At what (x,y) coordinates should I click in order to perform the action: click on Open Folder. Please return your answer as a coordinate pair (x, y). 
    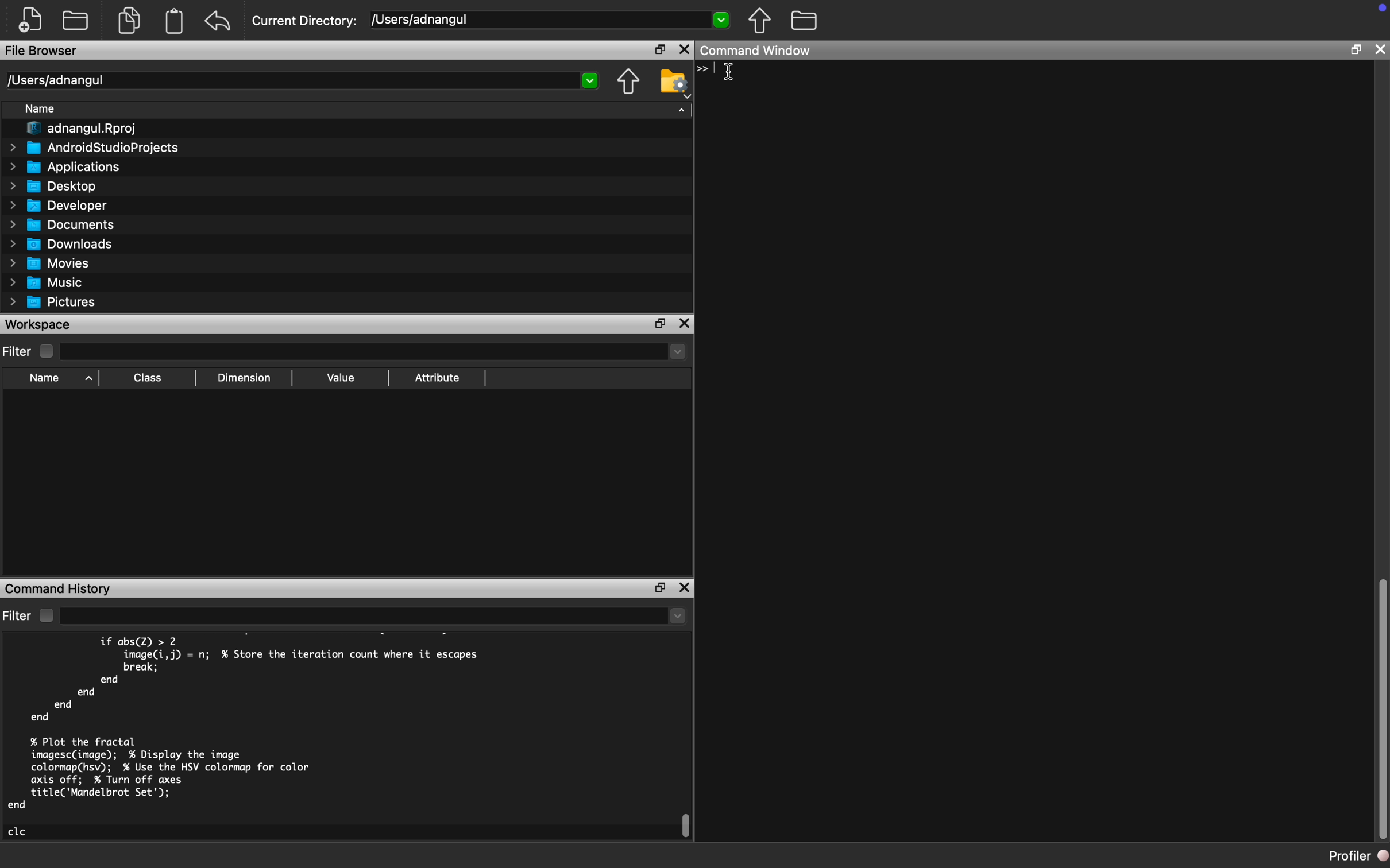
    Looking at the image, I should click on (78, 18).